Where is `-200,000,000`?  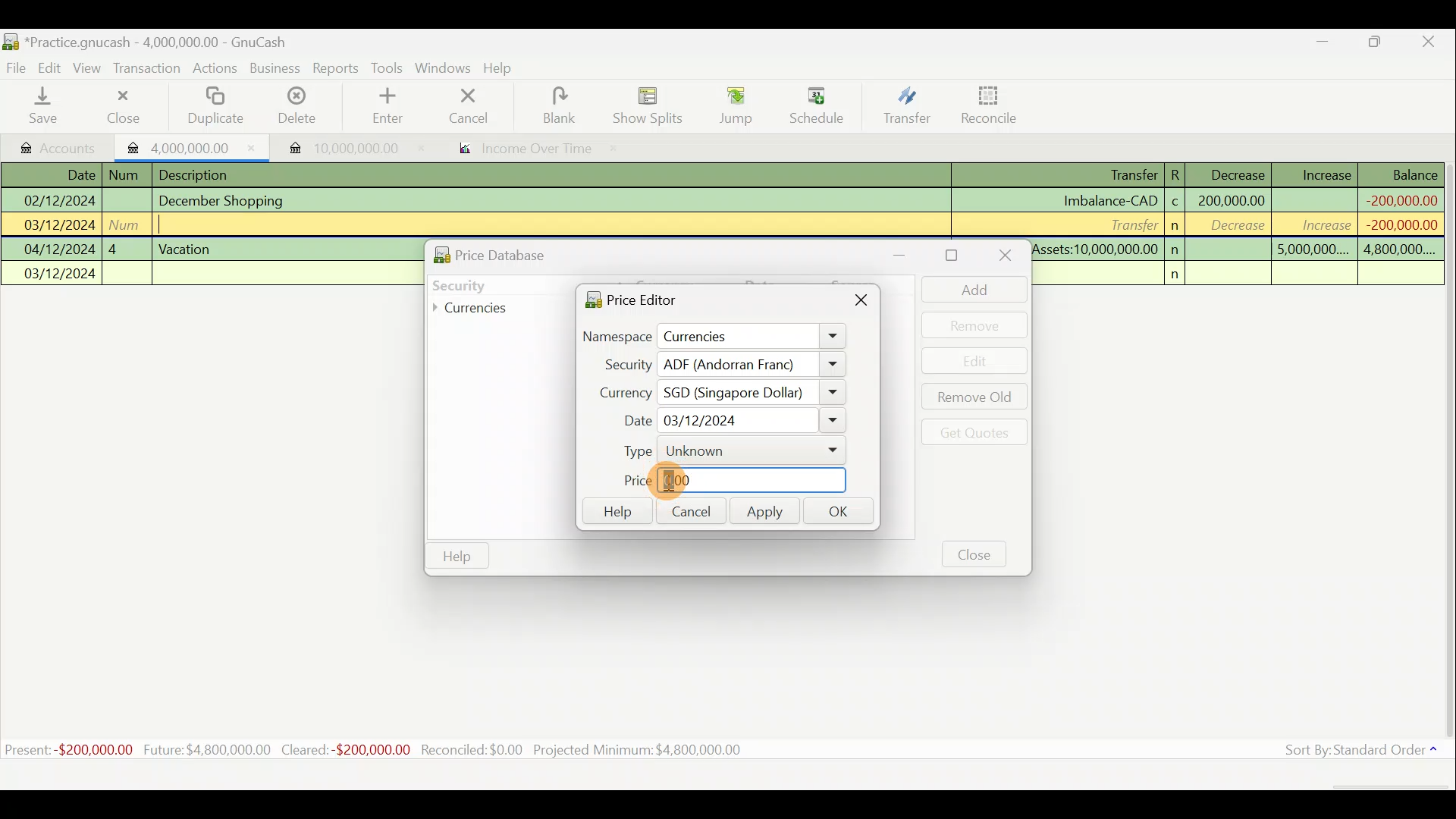
-200,000,000 is located at coordinates (1399, 199).